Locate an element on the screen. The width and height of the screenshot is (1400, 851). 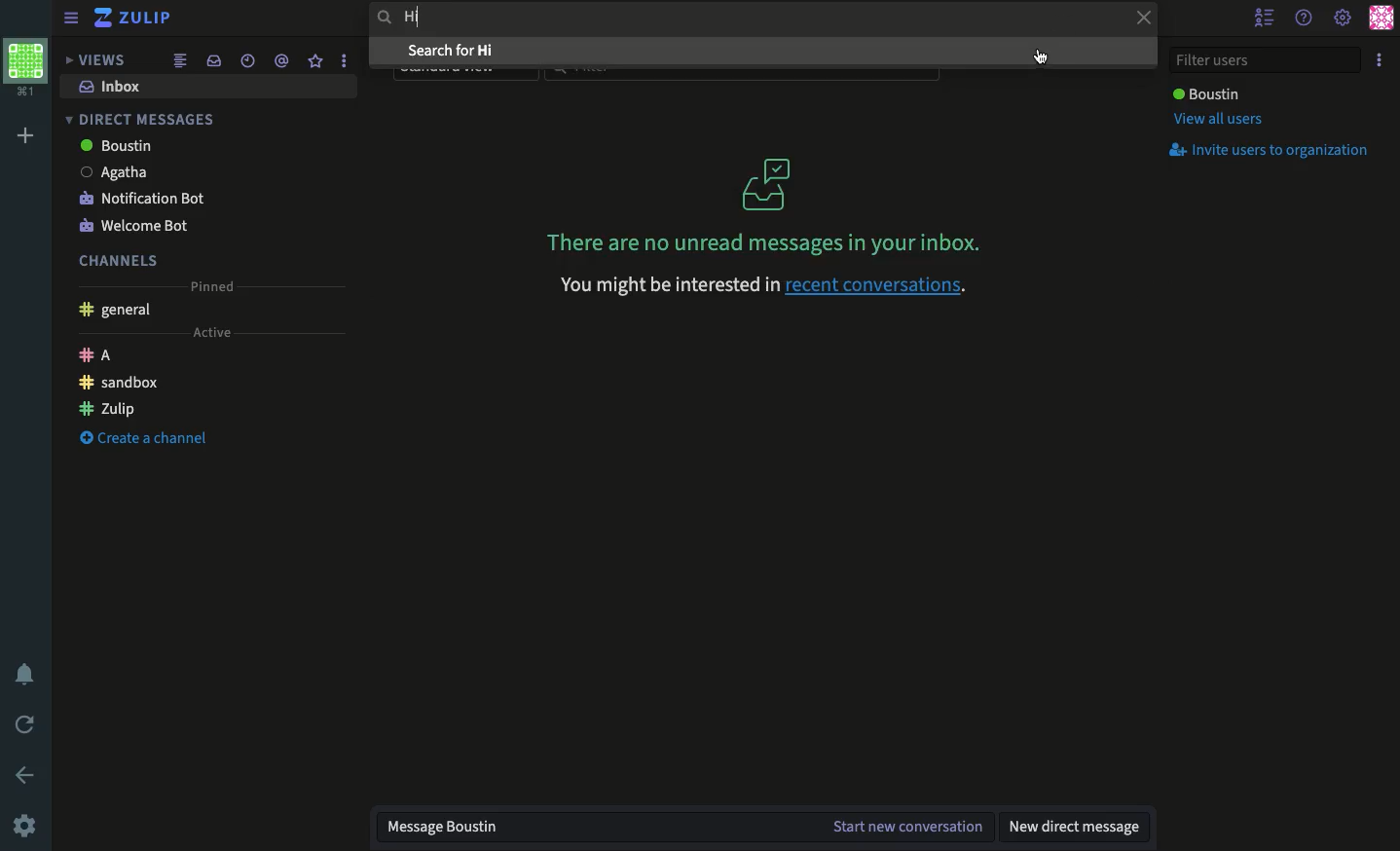
Refresh is located at coordinates (26, 726).